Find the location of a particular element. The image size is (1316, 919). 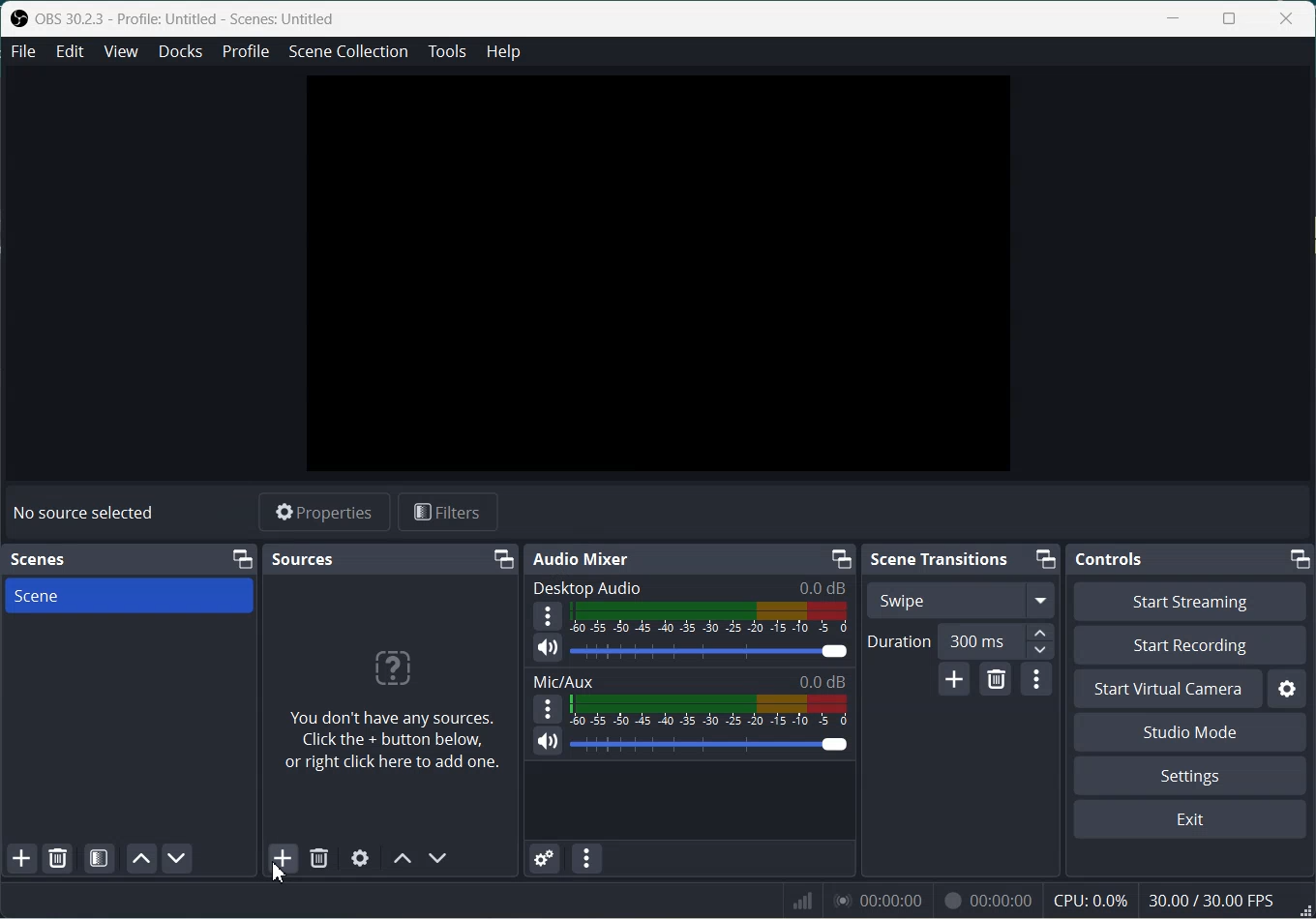

You don't have any sources.
Click the + button below,
or right click here to add one. is located at coordinates (389, 714).